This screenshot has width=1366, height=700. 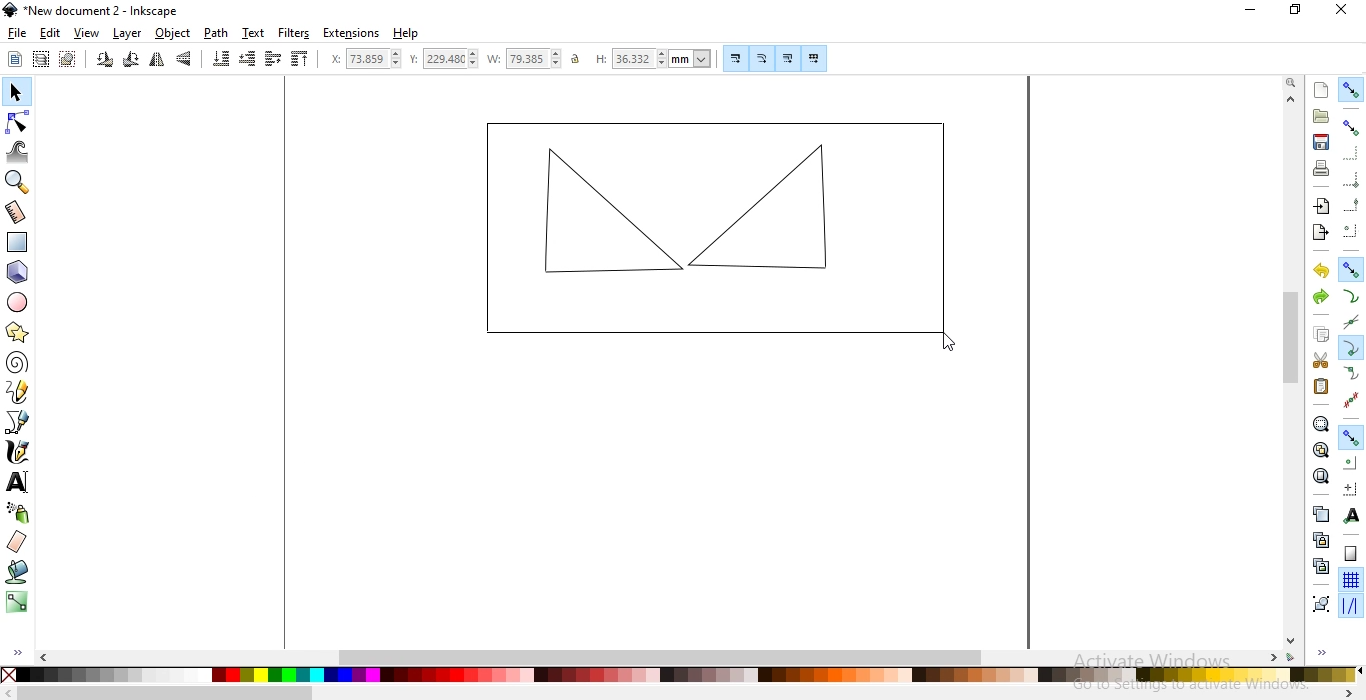 I want to click on create spirals, so click(x=18, y=363).